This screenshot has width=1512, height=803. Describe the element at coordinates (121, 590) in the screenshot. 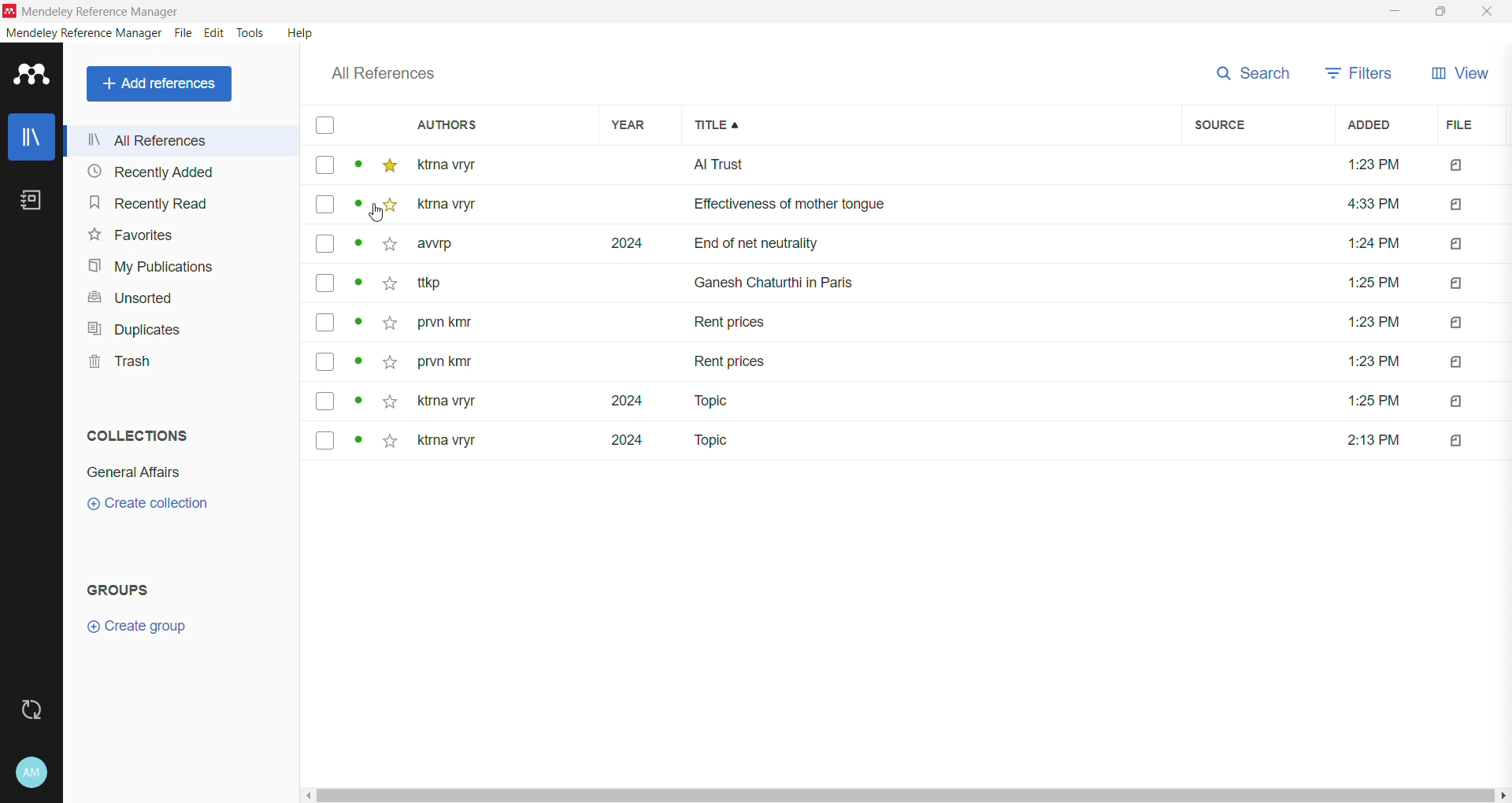

I see `Groups` at that location.